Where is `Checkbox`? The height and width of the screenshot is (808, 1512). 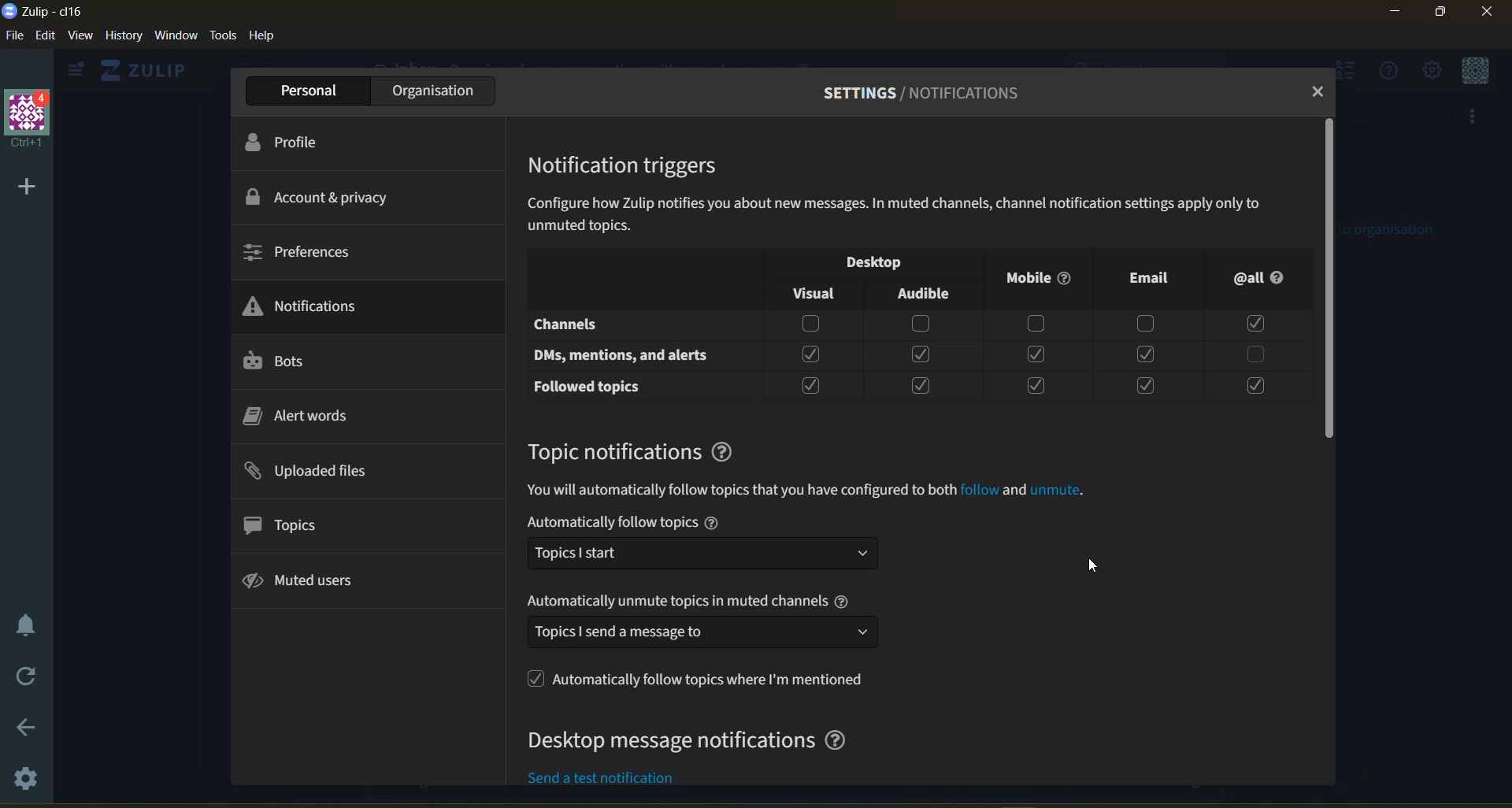
Checkbox is located at coordinates (921, 324).